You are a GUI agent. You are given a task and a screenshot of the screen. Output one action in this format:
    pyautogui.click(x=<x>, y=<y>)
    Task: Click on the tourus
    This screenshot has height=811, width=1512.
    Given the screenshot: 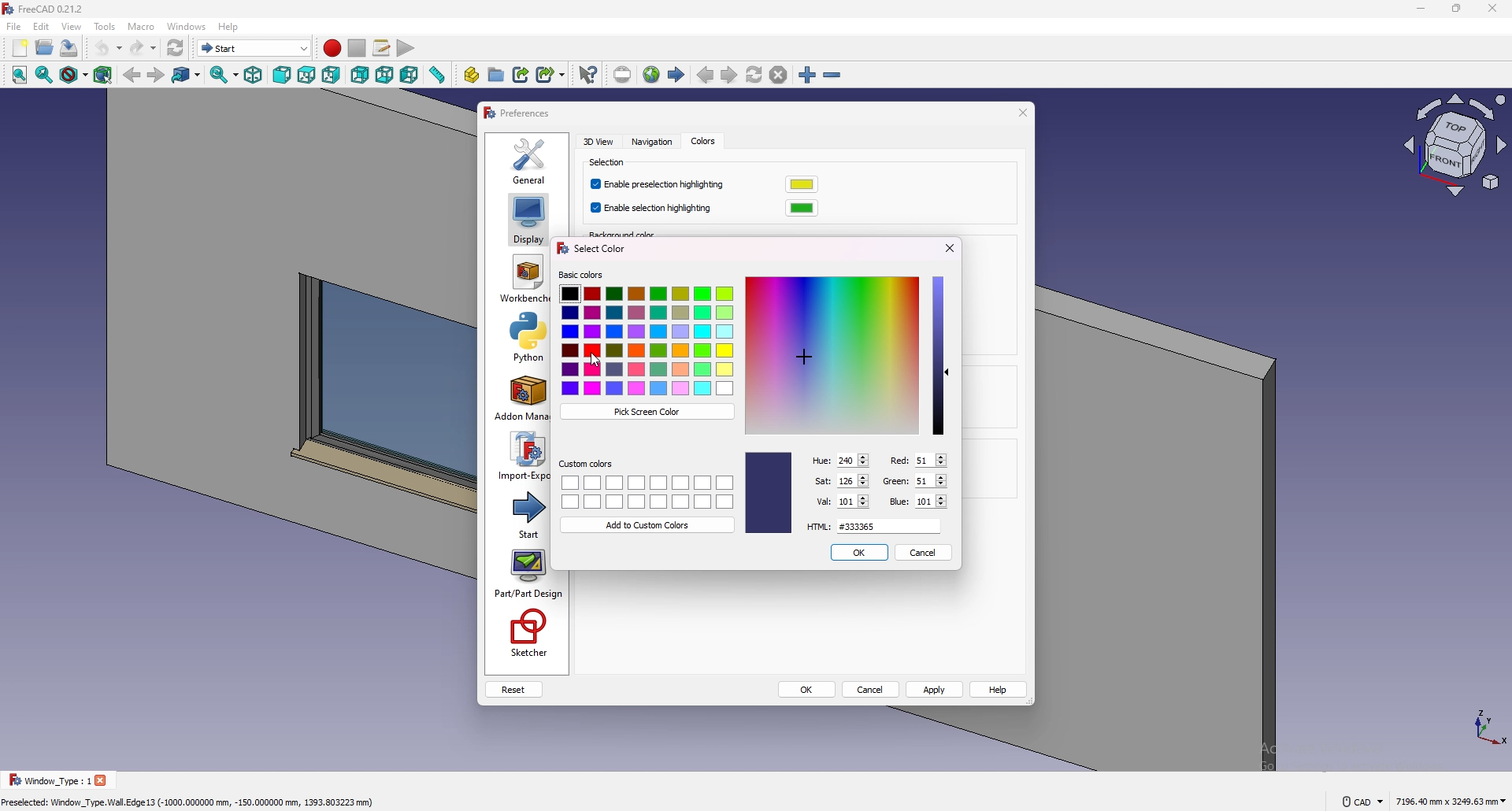 What is the action you would take?
    pyautogui.click(x=1480, y=726)
    